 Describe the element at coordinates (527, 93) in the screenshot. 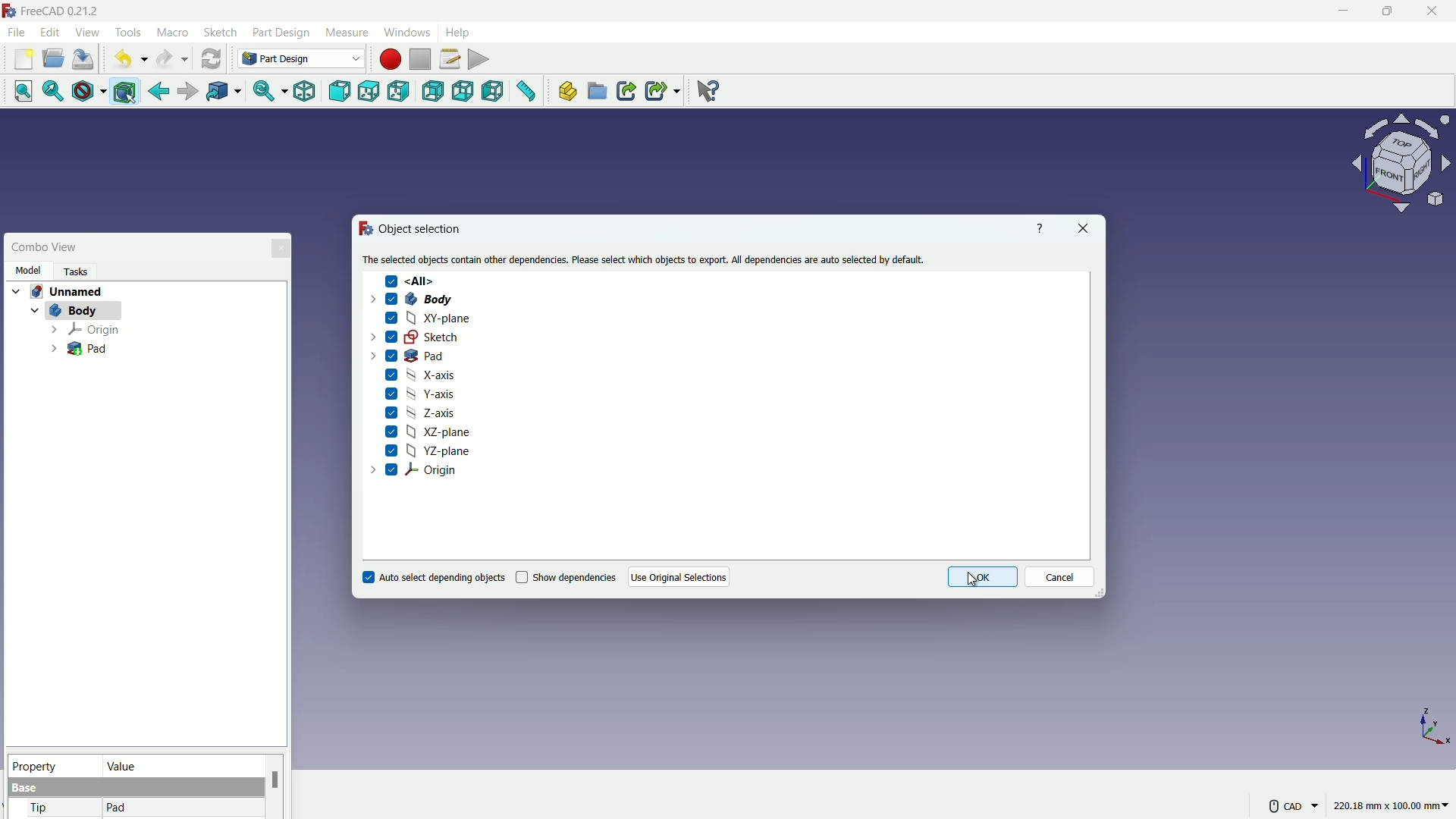

I see `measure` at that location.